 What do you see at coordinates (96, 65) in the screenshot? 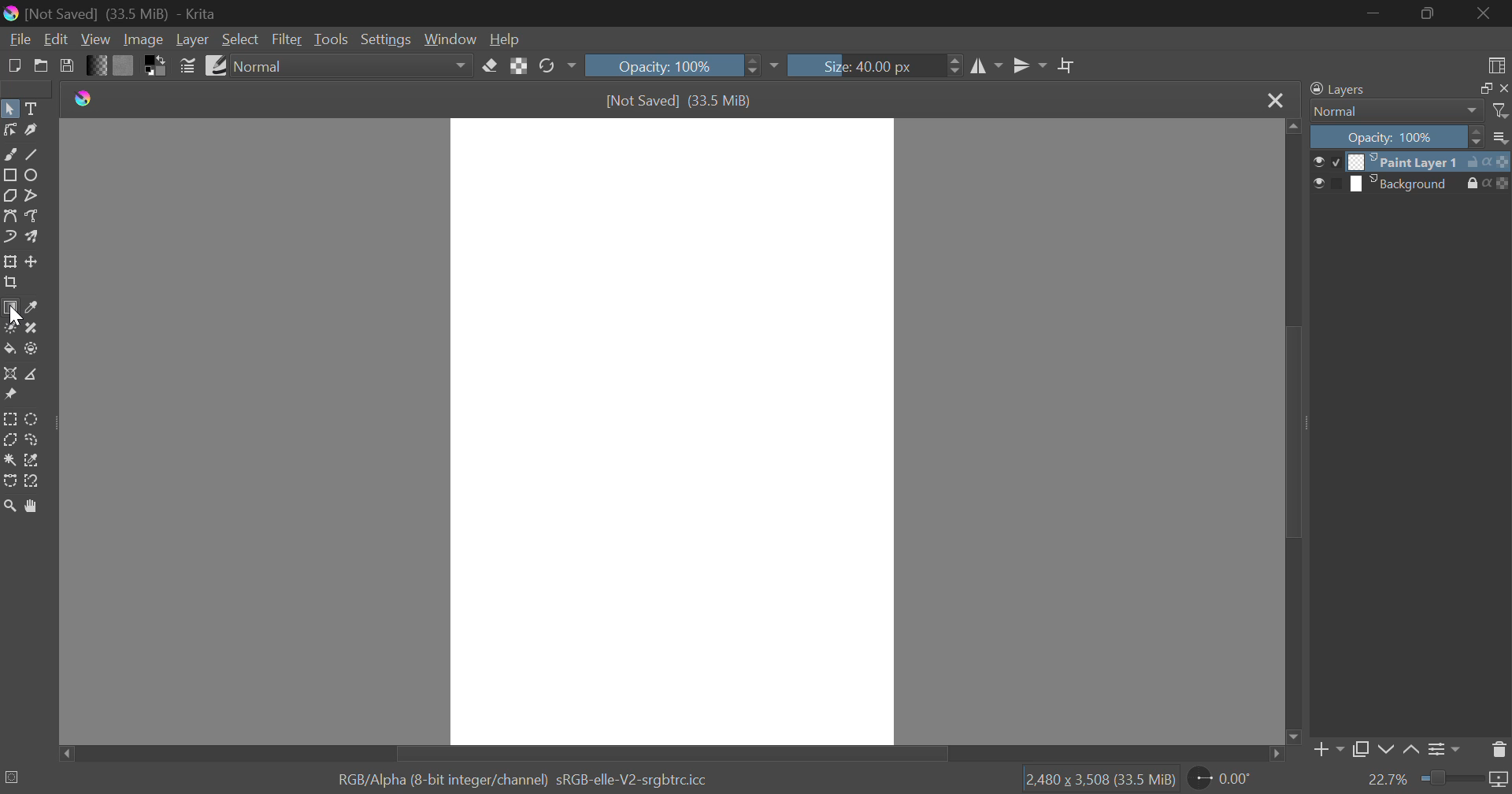
I see `Gradient` at bounding box center [96, 65].